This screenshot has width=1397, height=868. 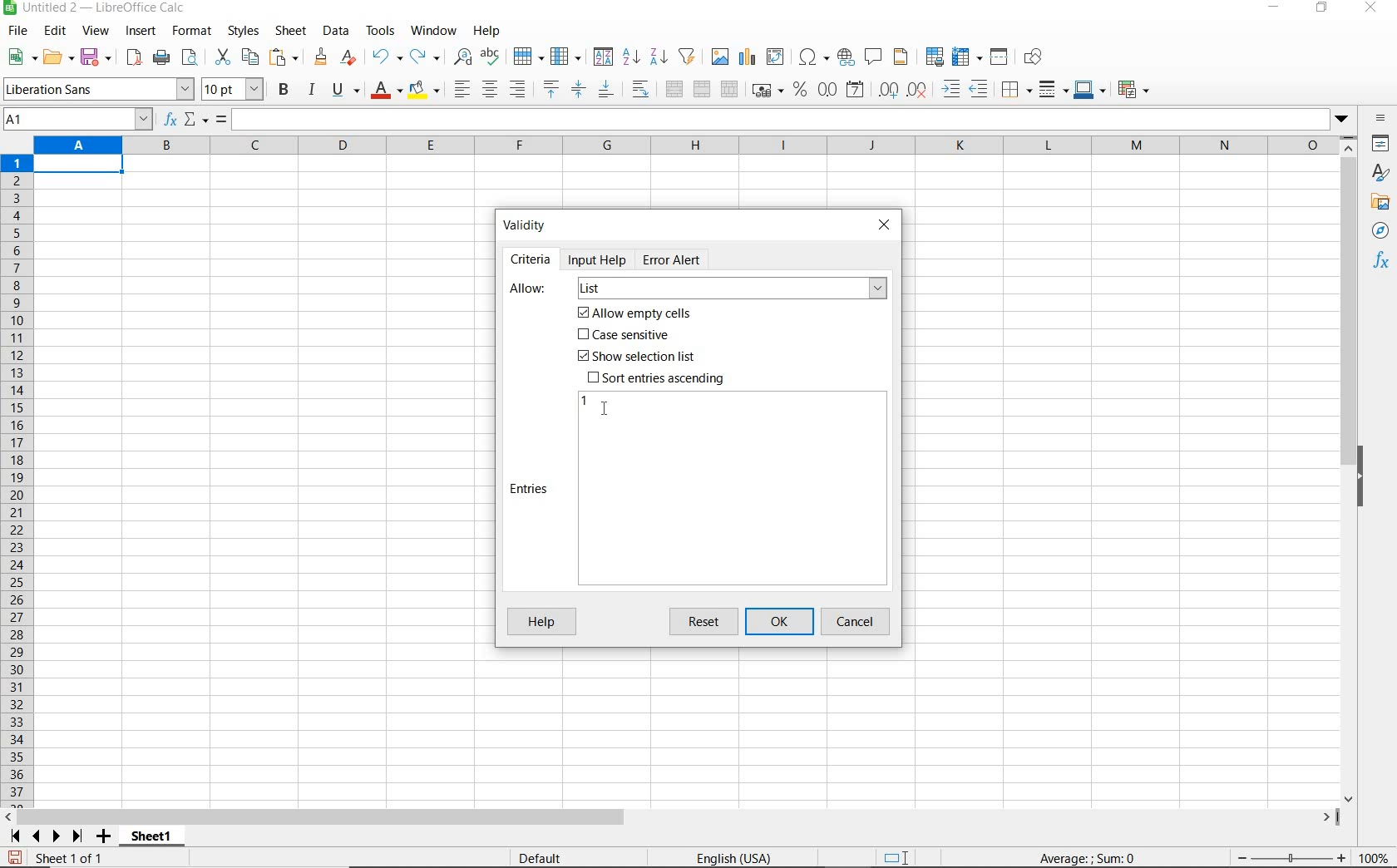 I want to click on default, so click(x=543, y=859).